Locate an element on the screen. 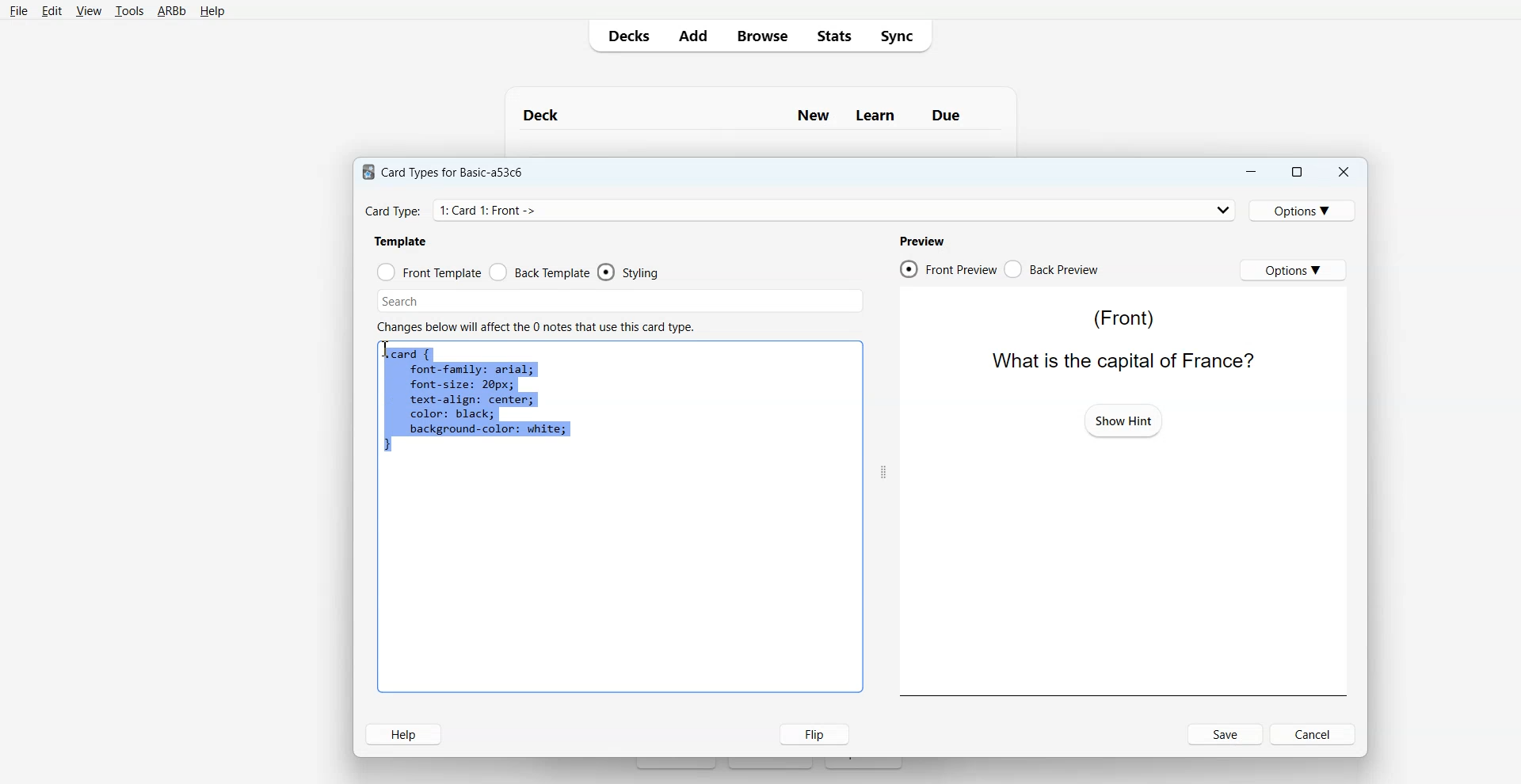 The height and width of the screenshot is (784, 1521). Deck New Learn Due is located at coordinates (750, 115).